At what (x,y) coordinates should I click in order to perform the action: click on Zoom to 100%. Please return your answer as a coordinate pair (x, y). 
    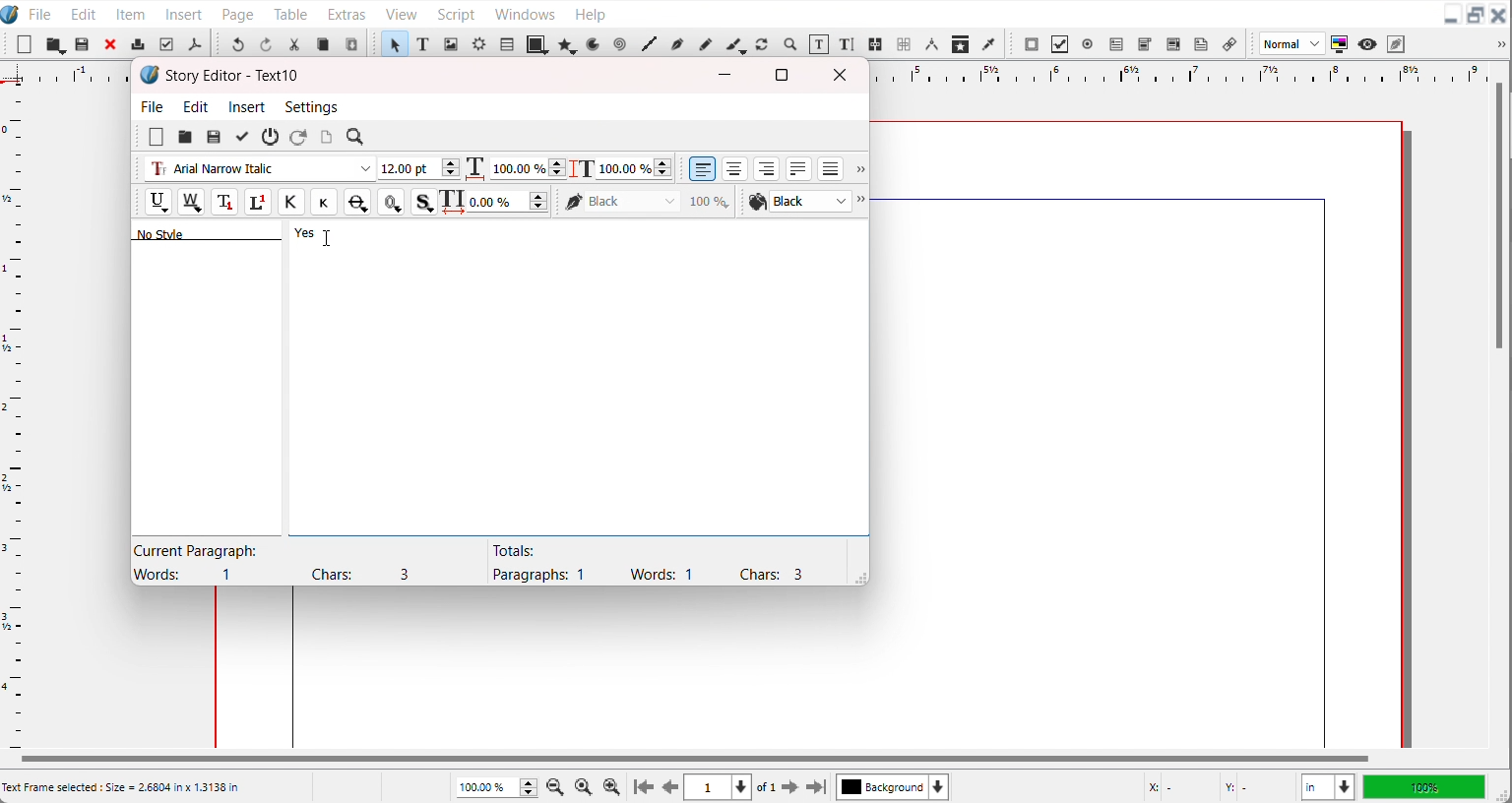
    Looking at the image, I should click on (585, 785).